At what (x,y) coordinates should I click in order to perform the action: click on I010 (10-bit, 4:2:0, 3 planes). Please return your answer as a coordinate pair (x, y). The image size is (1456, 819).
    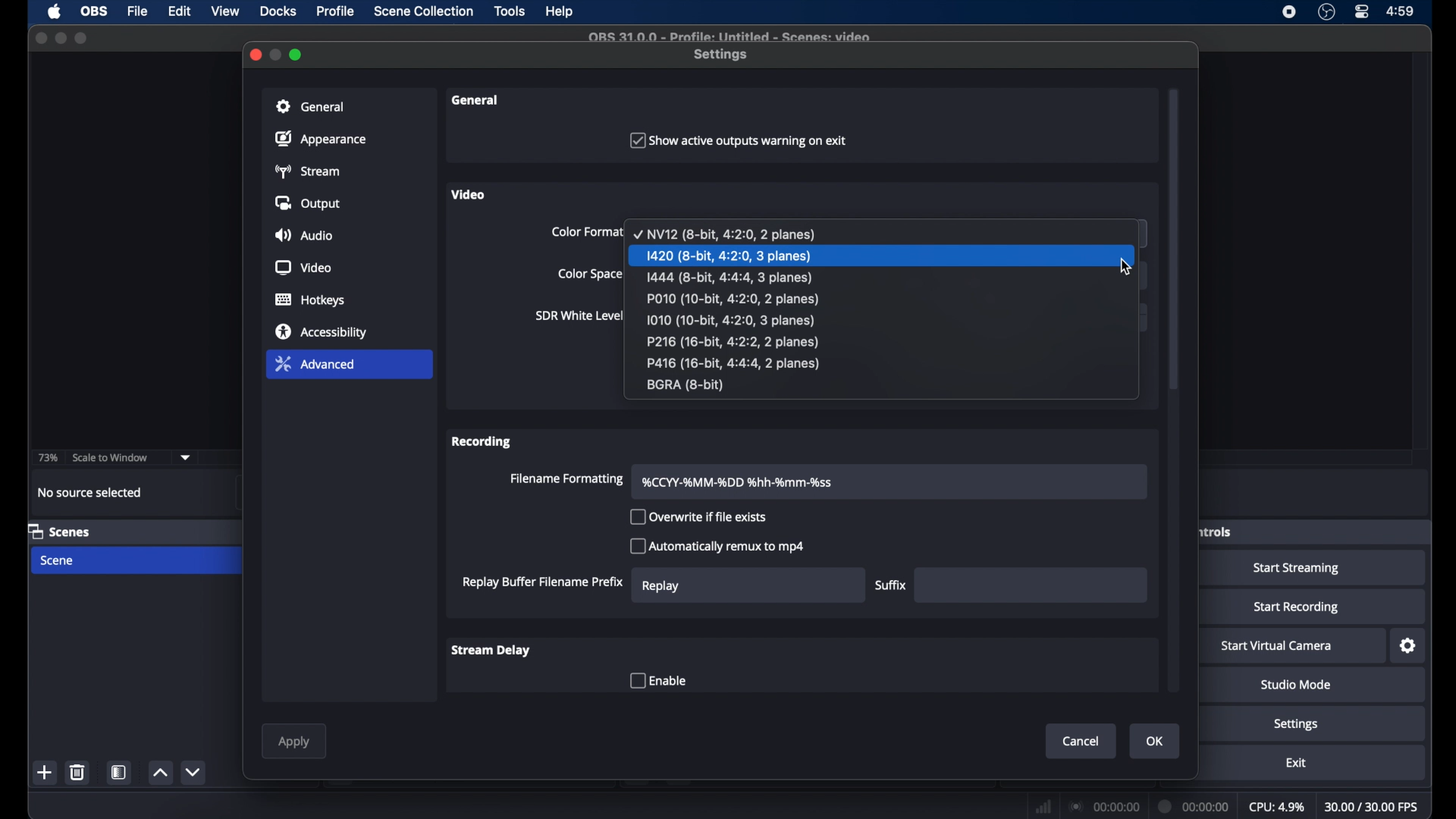
    Looking at the image, I should click on (733, 320).